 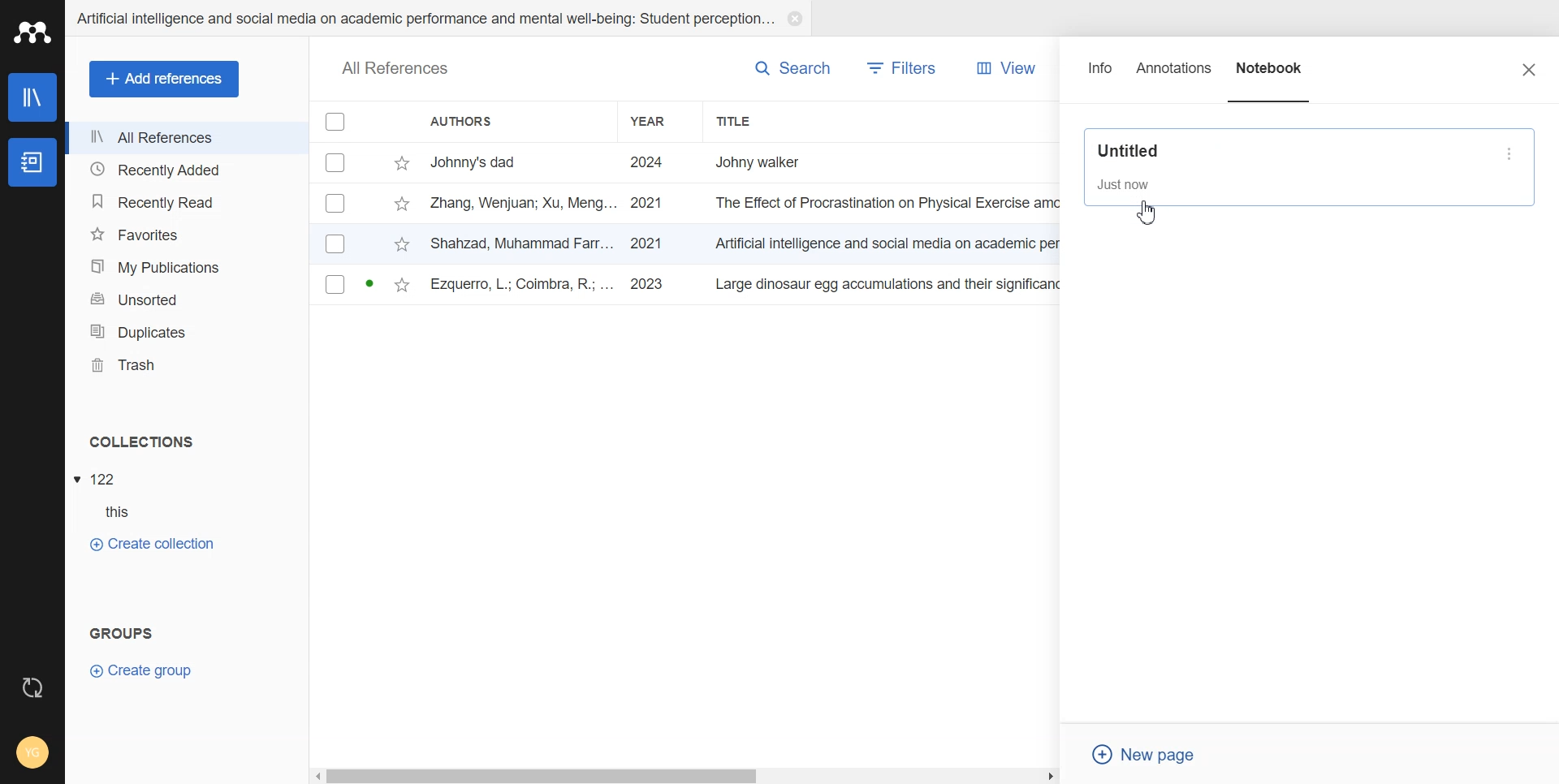 What do you see at coordinates (186, 235) in the screenshot?
I see `Favorites` at bounding box center [186, 235].